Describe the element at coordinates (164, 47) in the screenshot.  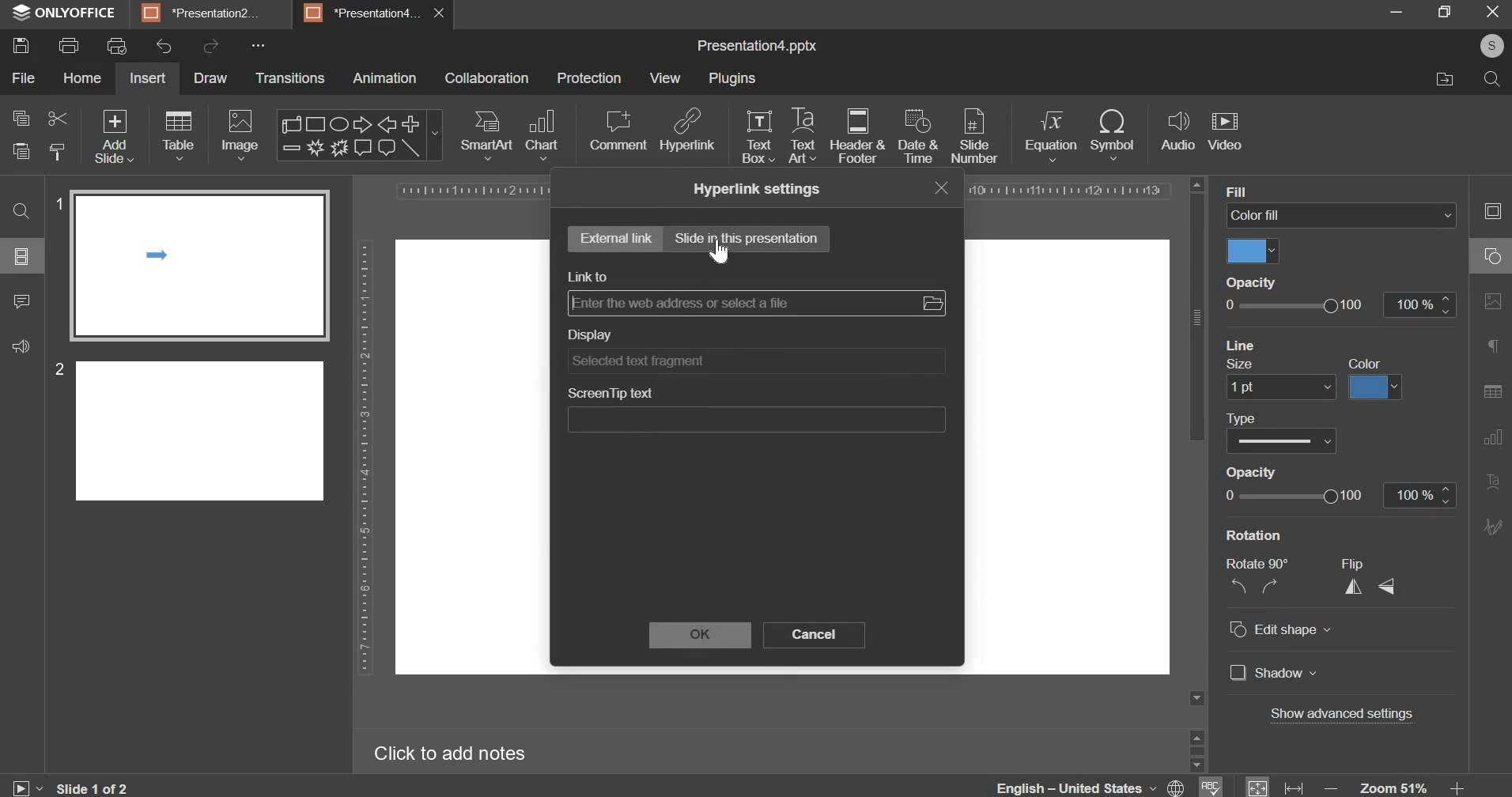
I see `undo` at that location.